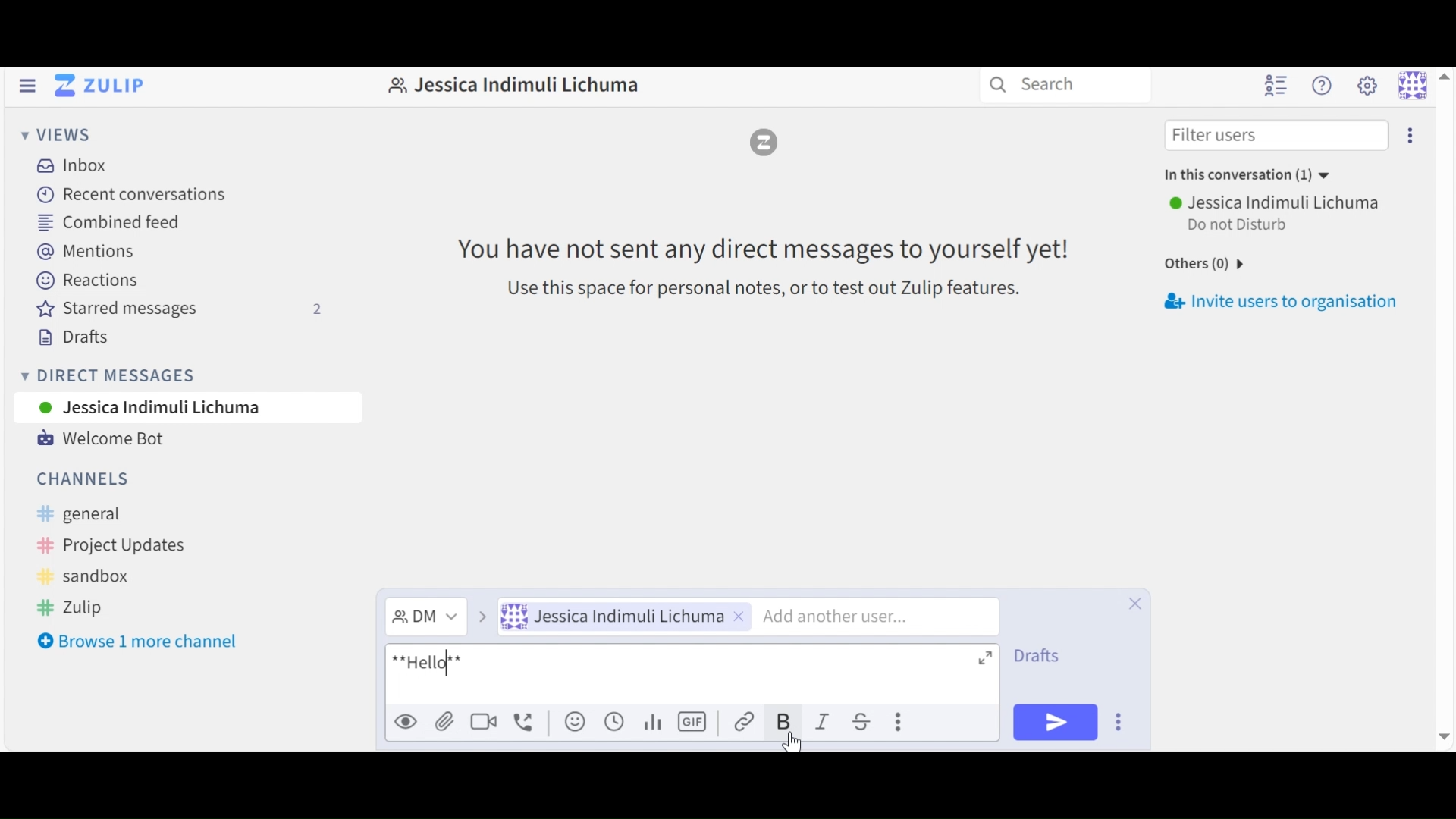 The width and height of the screenshot is (1456, 819). What do you see at coordinates (623, 617) in the screenshot?
I see `User` at bounding box center [623, 617].